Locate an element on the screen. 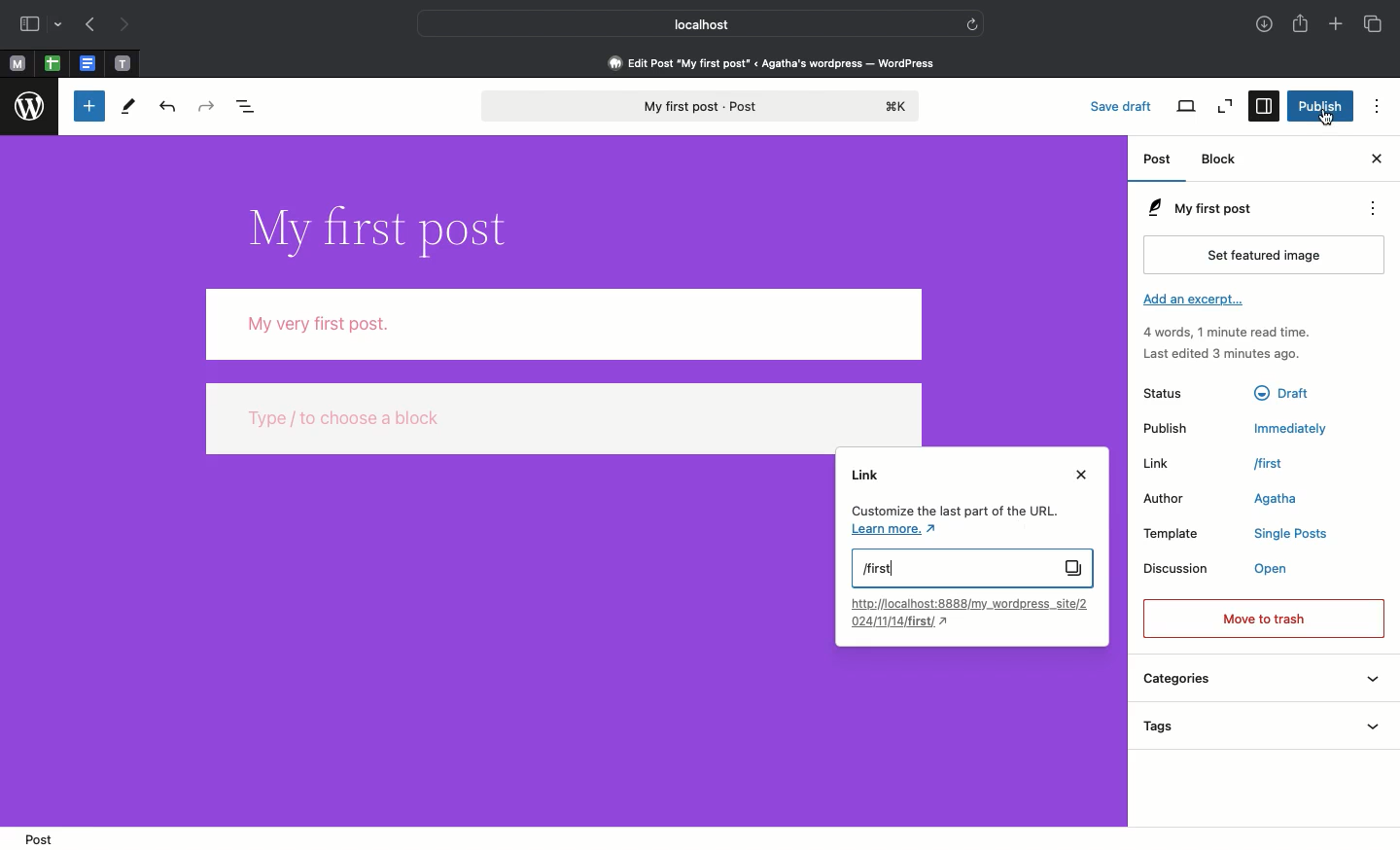  Customize the last part of the URL is located at coordinates (952, 521).